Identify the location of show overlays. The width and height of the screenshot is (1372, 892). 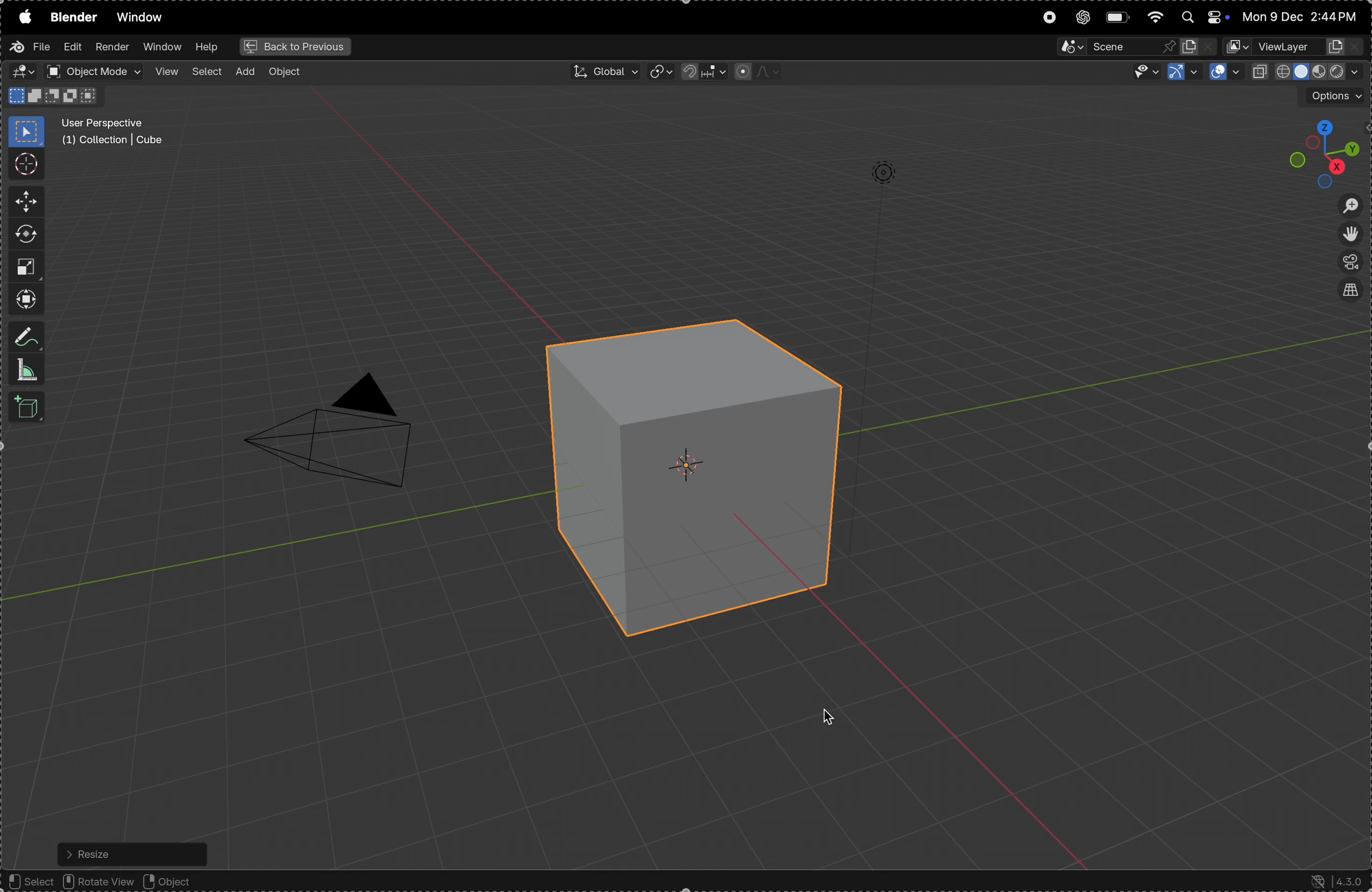
(1225, 73).